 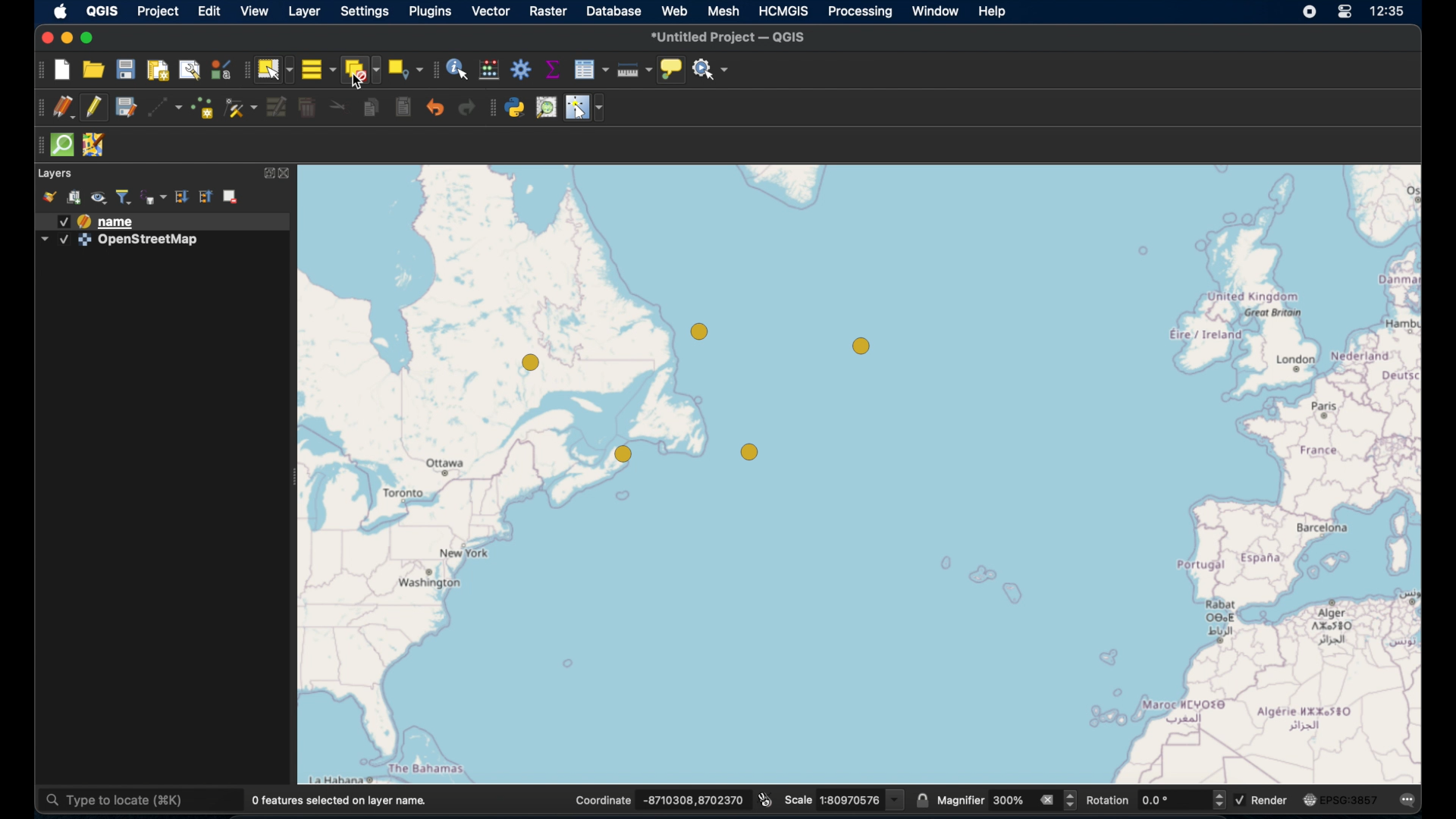 What do you see at coordinates (1110, 800) in the screenshot?
I see `rotation` at bounding box center [1110, 800].